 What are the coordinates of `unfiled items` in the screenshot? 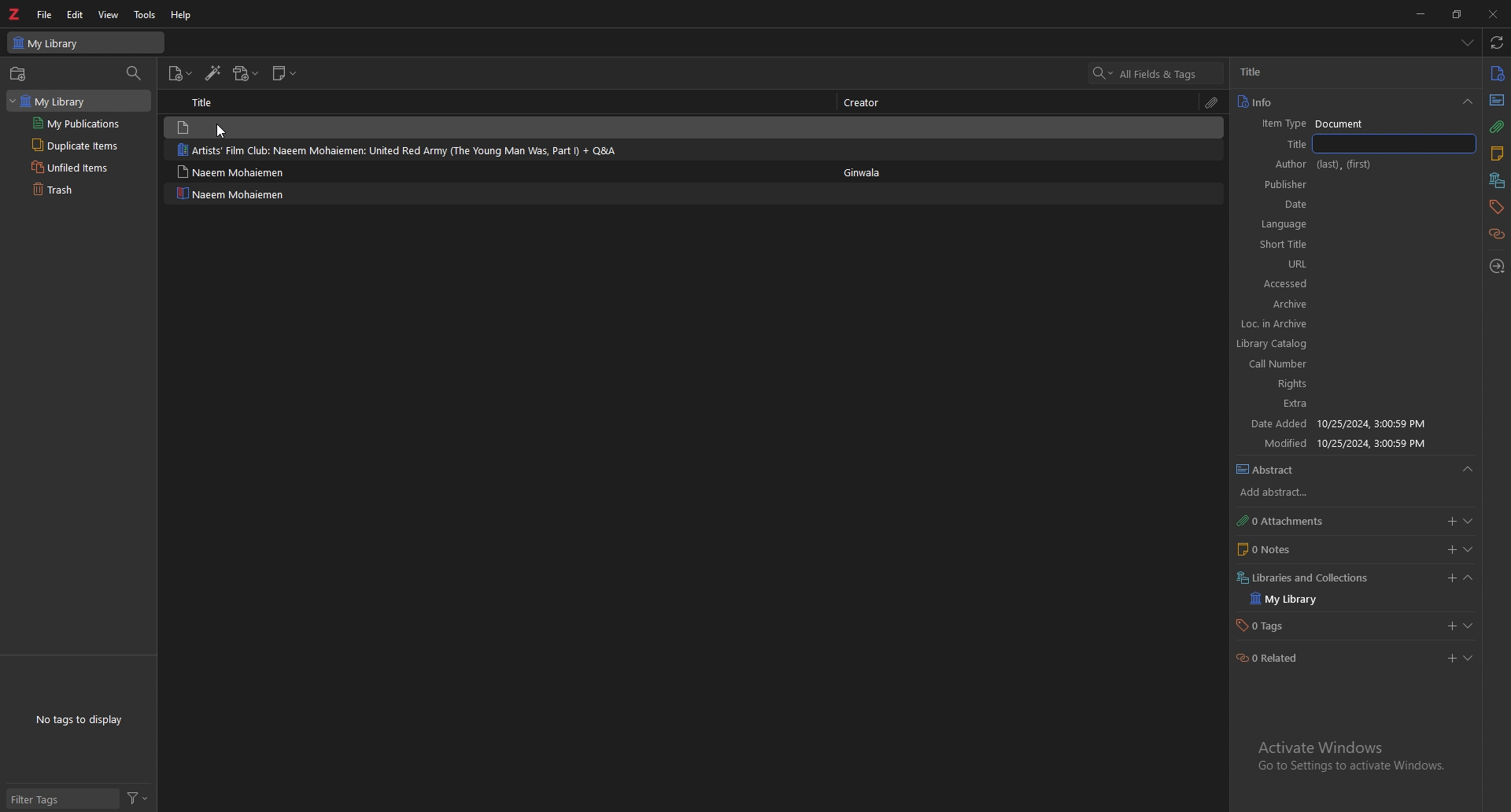 It's located at (73, 168).